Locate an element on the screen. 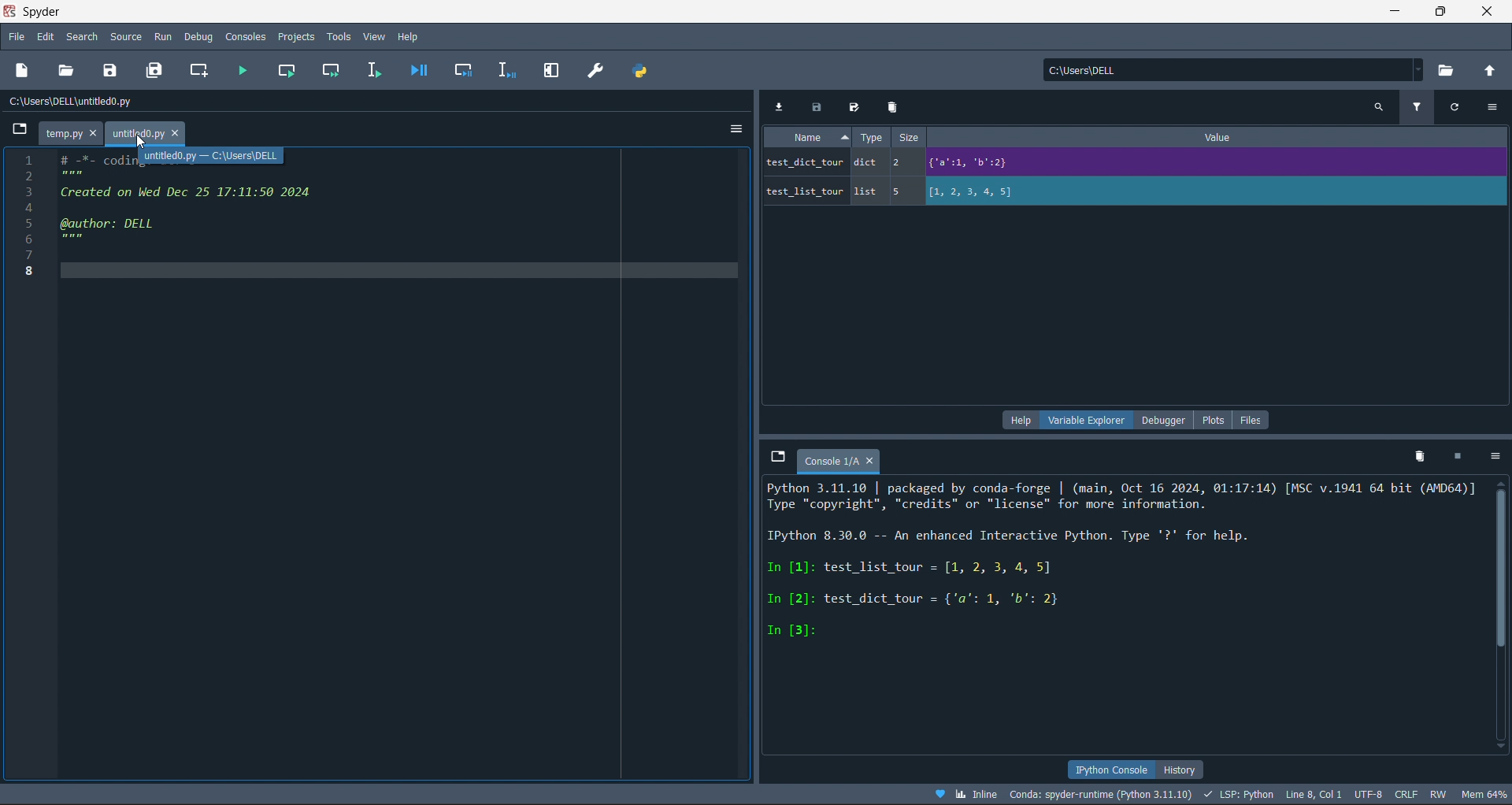  options is located at coordinates (1495, 109).